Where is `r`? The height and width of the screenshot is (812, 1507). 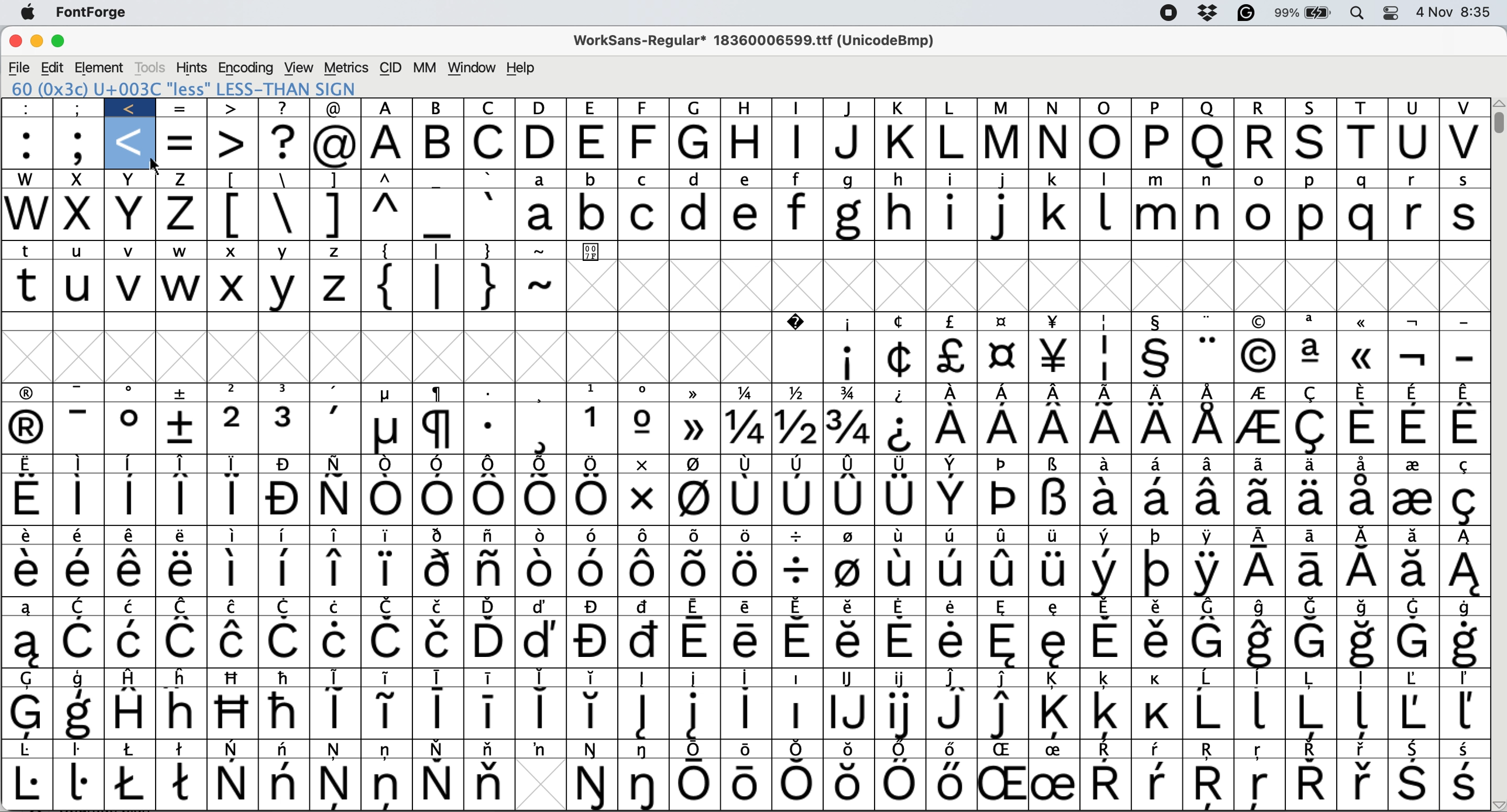 r is located at coordinates (1261, 108).